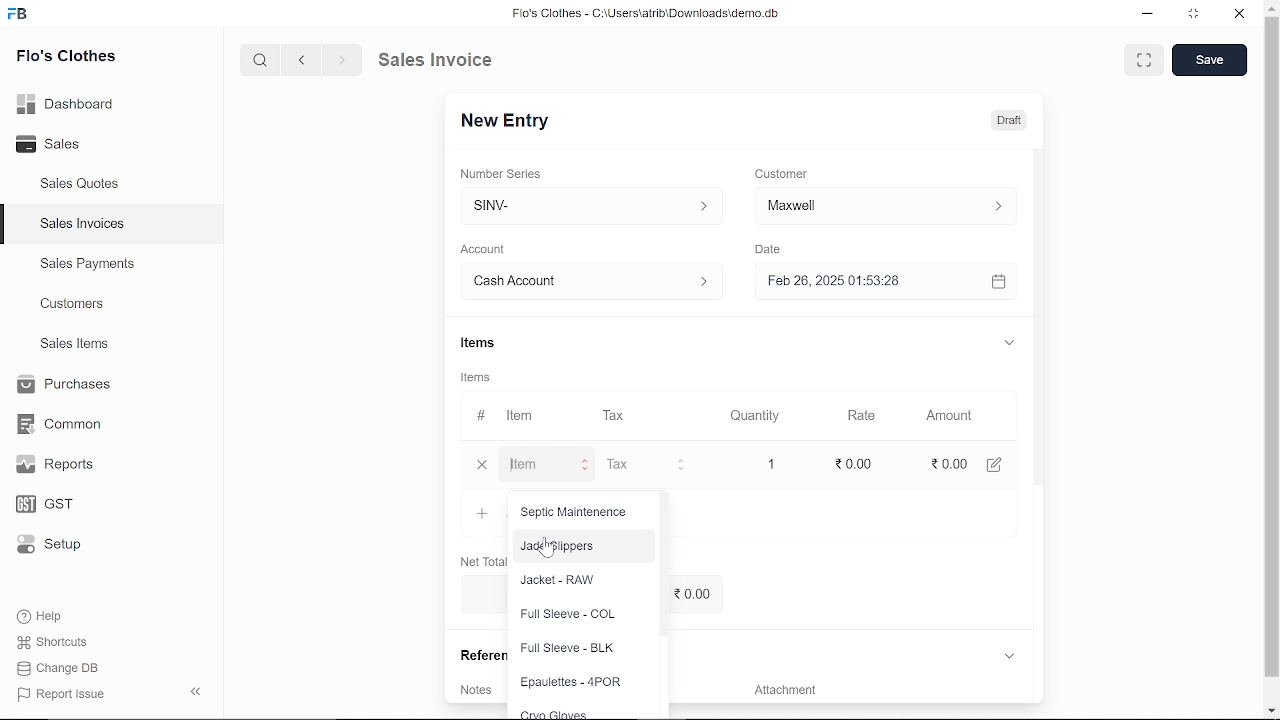  What do you see at coordinates (662, 15) in the screenshot?
I see `Flo's Clothes - C:\UsersatribiDownloads\demo.do` at bounding box center [662, 15].